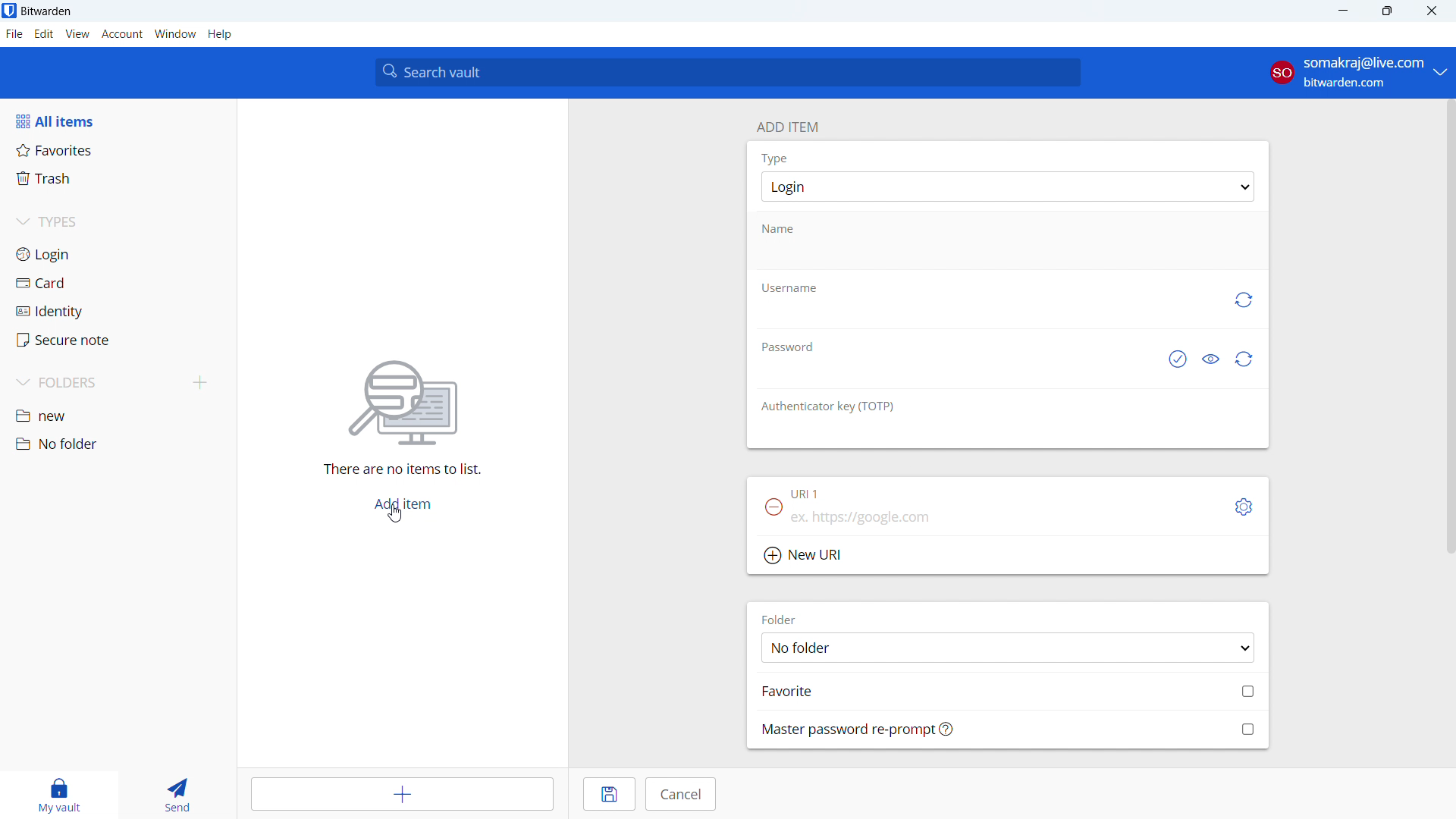  I want to click on edit, so click(44, 34).